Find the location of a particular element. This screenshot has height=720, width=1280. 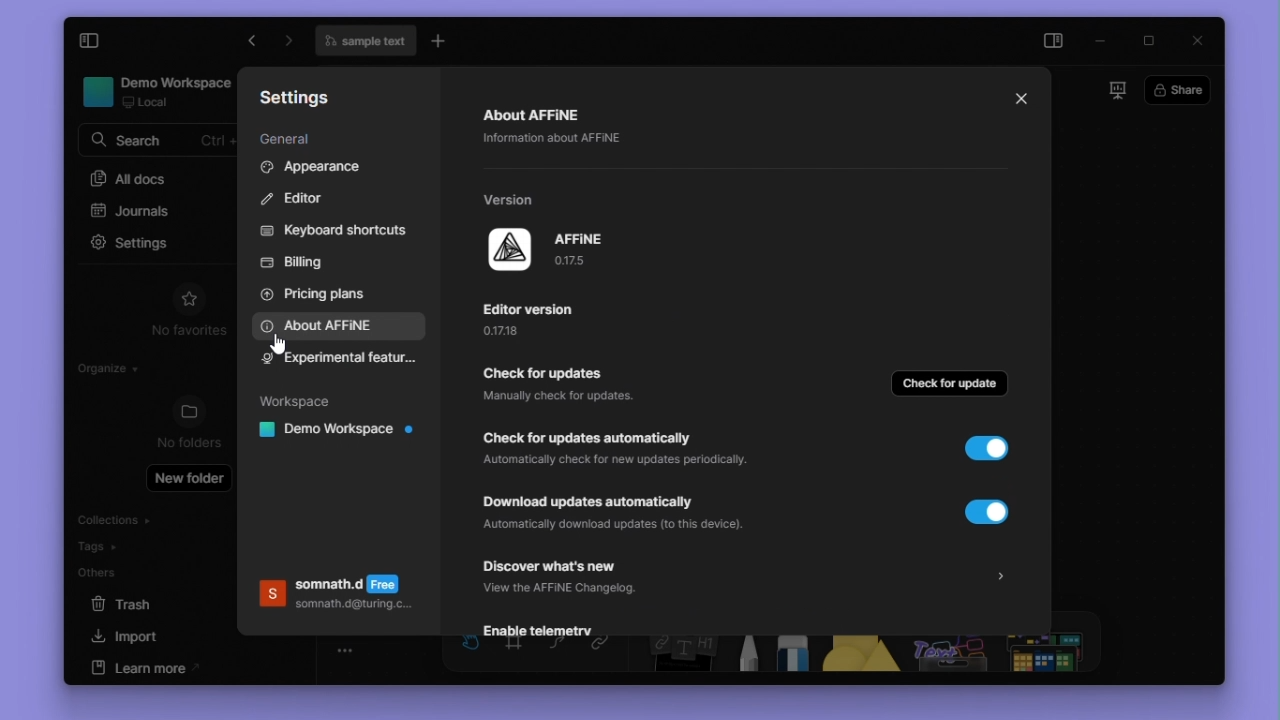

close is located at coordinates (1198, 42).